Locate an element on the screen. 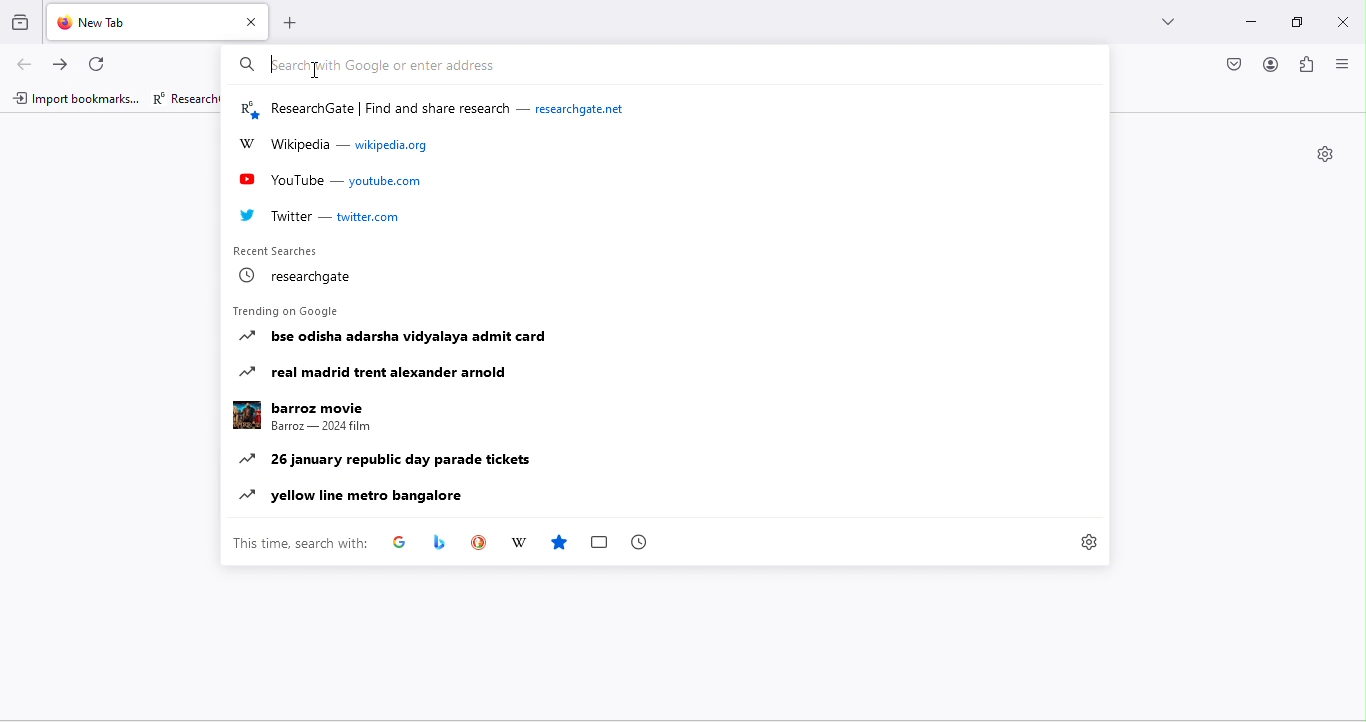  new tab is located at coordinates (122, 21).